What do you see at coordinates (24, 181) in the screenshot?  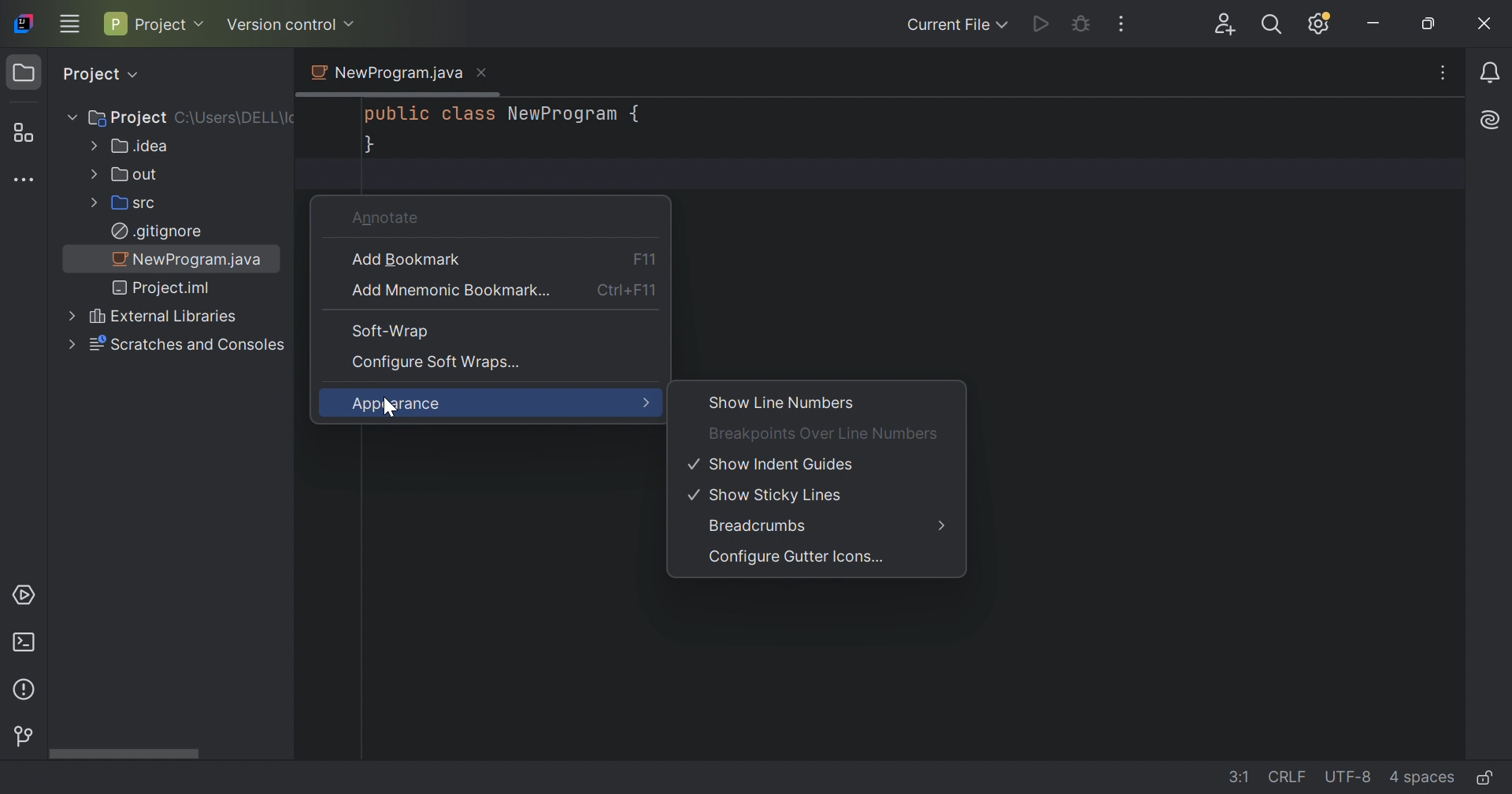 I see `More tool windows` at bounding box center [24, 181].